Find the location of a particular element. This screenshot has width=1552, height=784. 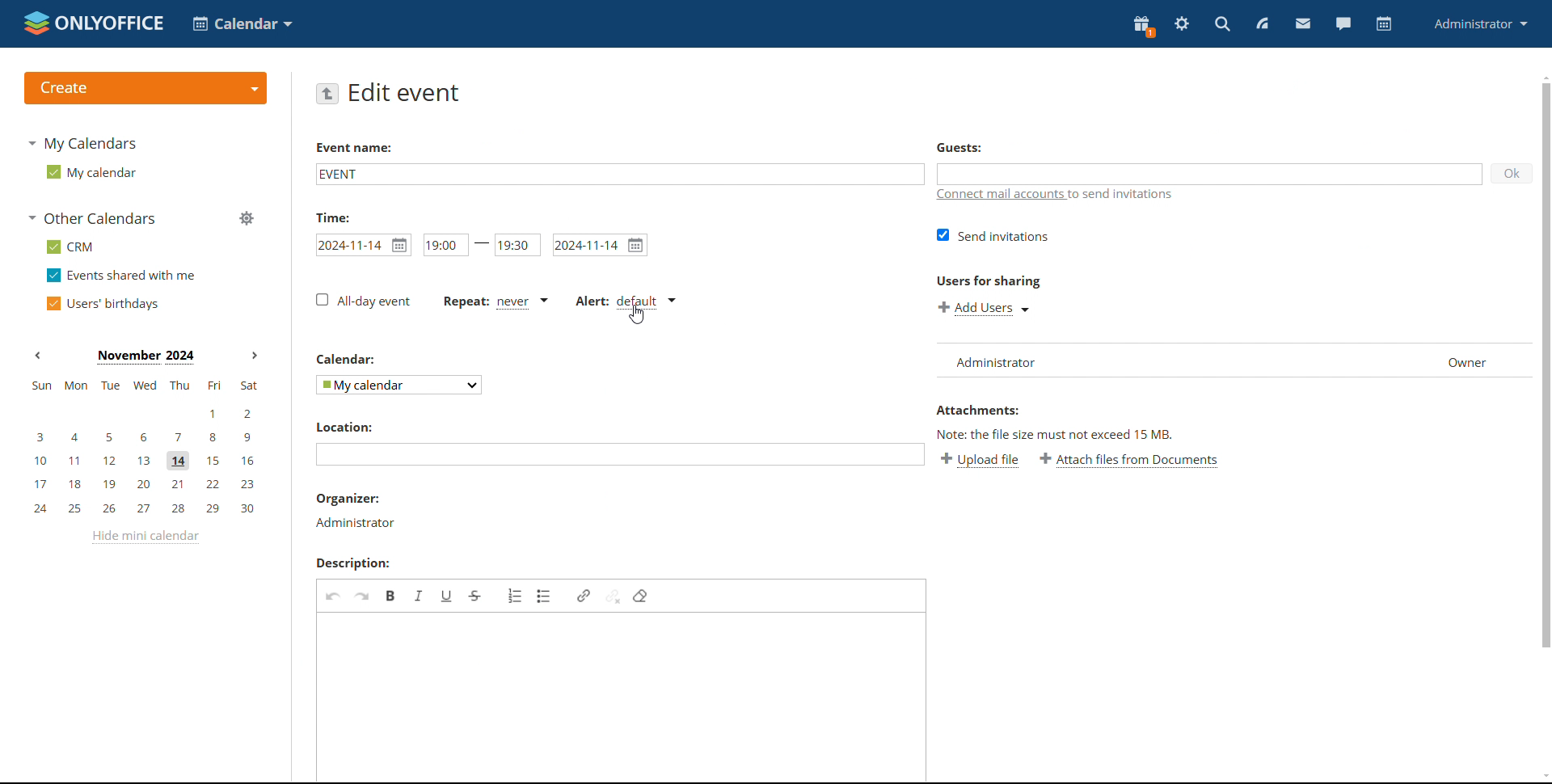

users for sharing: is located at coordinates (988, 284).